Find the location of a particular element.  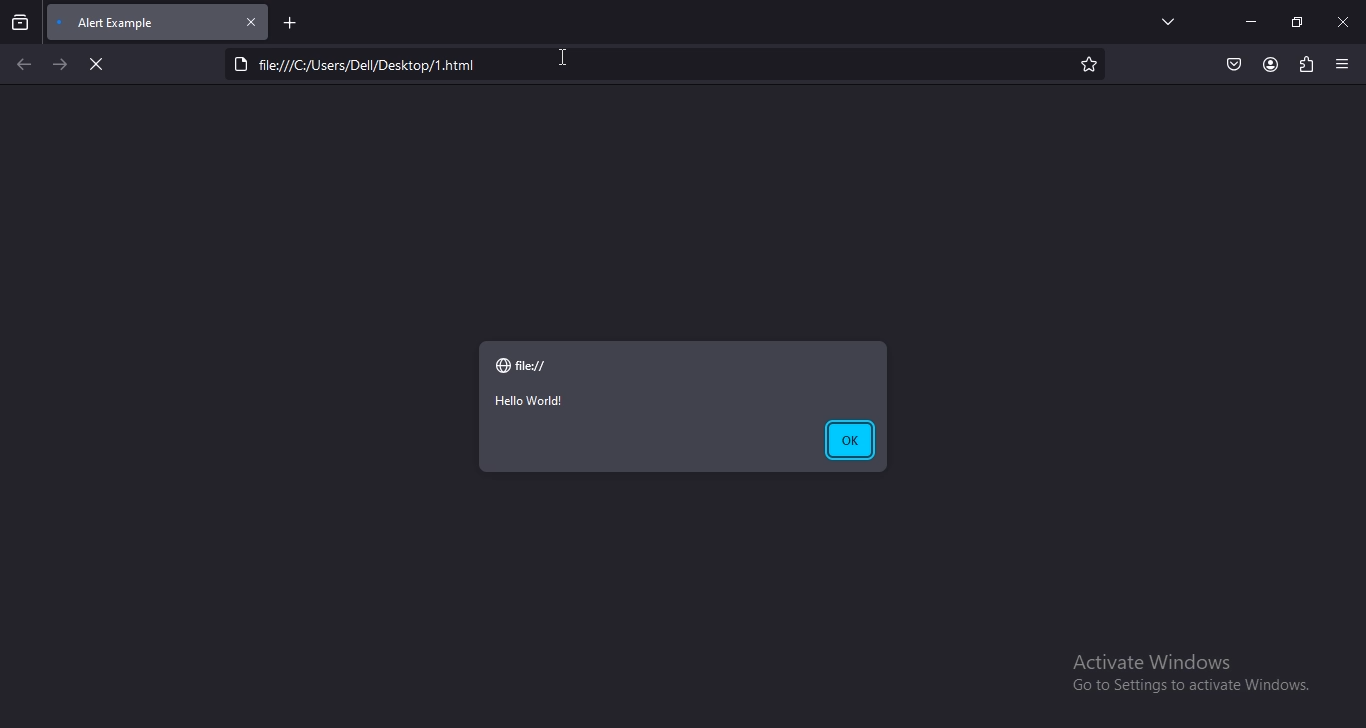

new tab is located at coordinates (291, 24).